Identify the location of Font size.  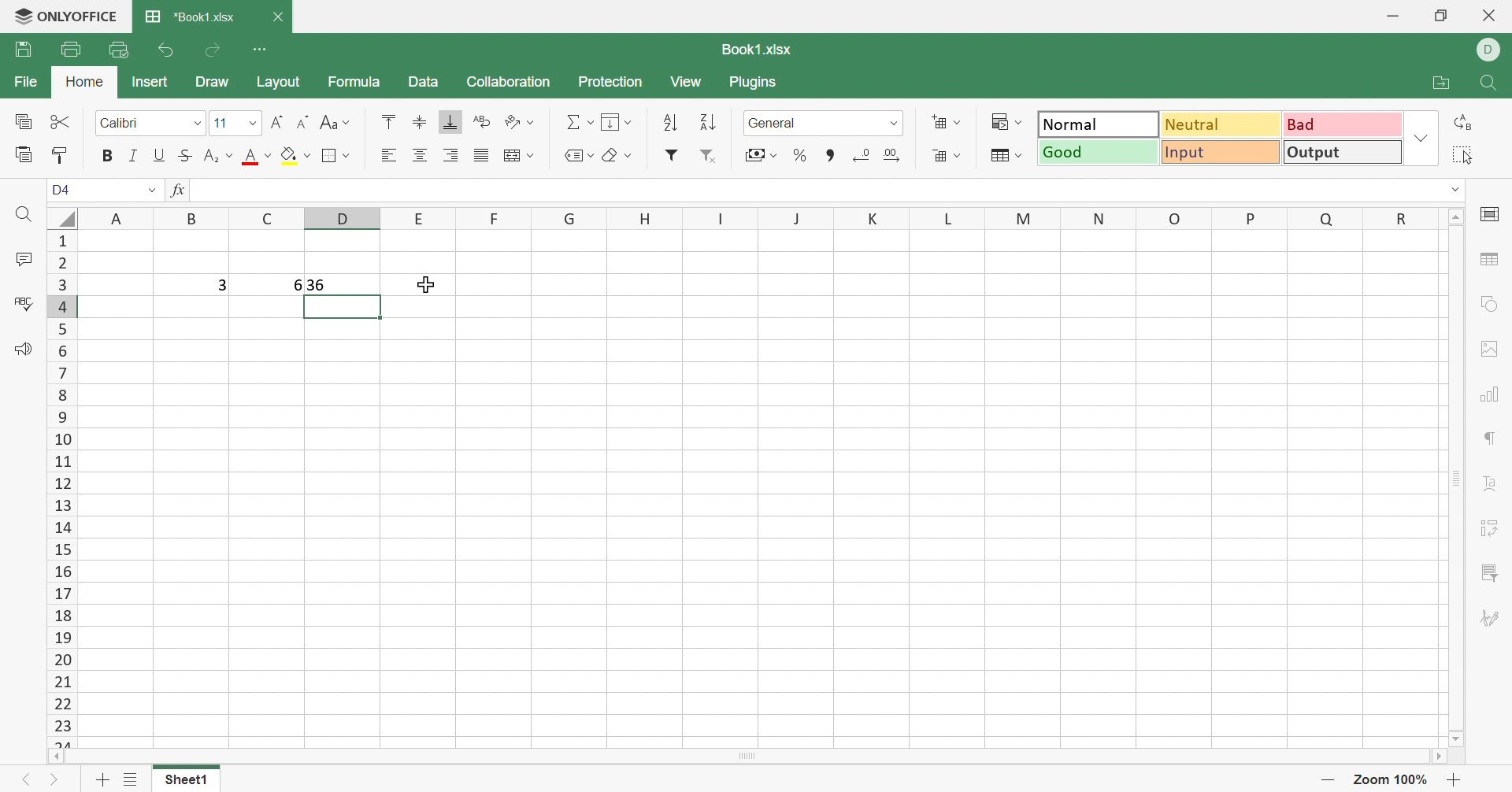
(235, 121).